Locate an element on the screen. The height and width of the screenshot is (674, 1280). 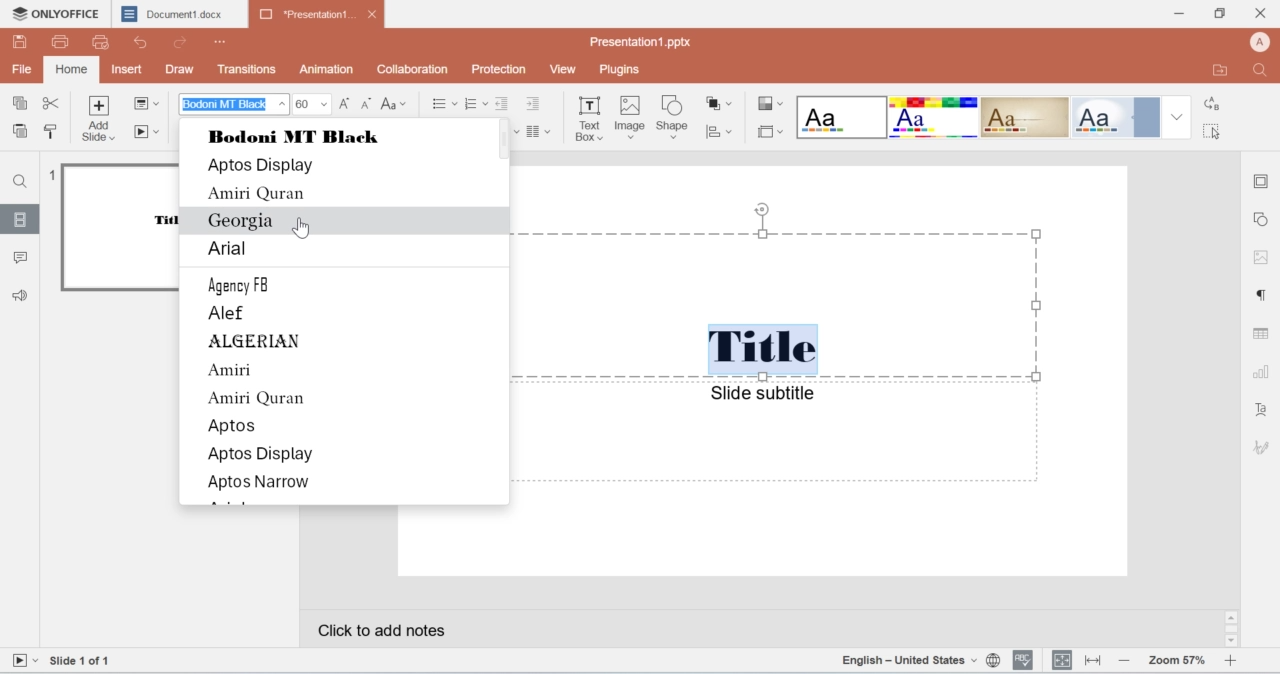
image settings is located at coordinates (1258, 256).